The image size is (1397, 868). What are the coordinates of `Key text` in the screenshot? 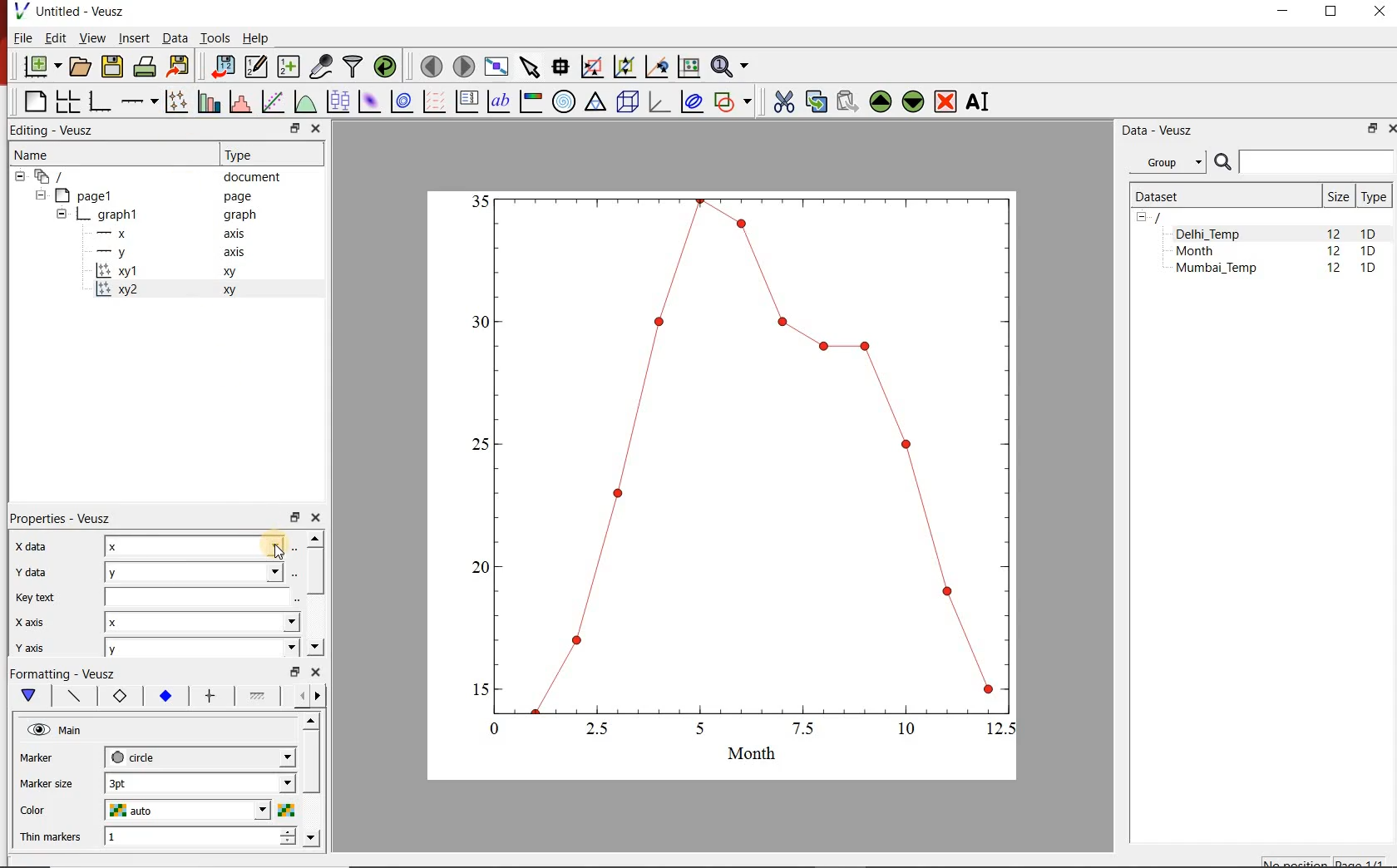 It's located at (34, 599).